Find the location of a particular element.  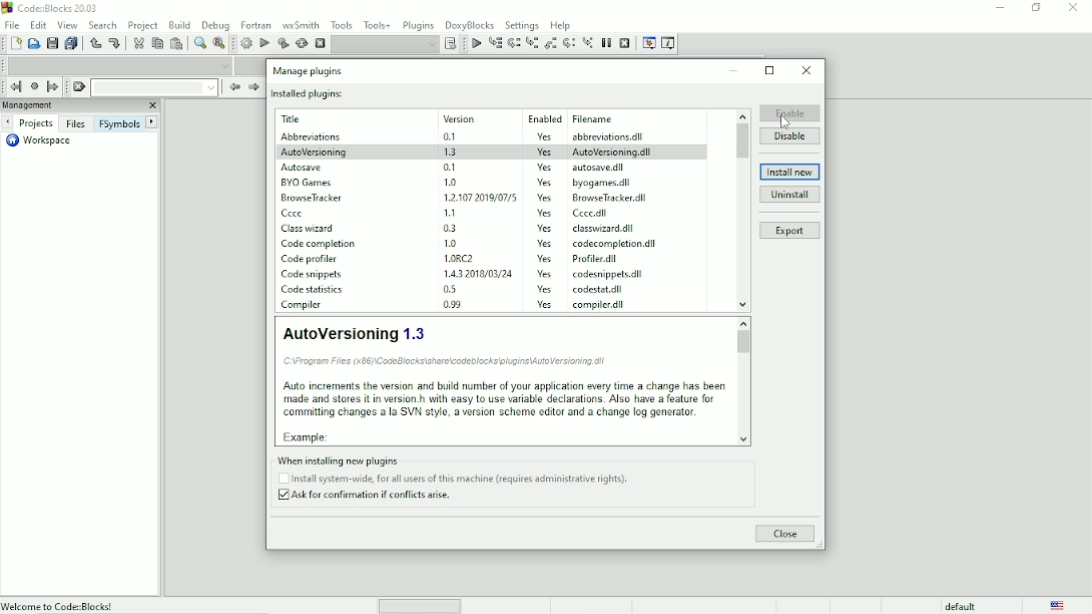

Find is located at coordinates (199, 43).